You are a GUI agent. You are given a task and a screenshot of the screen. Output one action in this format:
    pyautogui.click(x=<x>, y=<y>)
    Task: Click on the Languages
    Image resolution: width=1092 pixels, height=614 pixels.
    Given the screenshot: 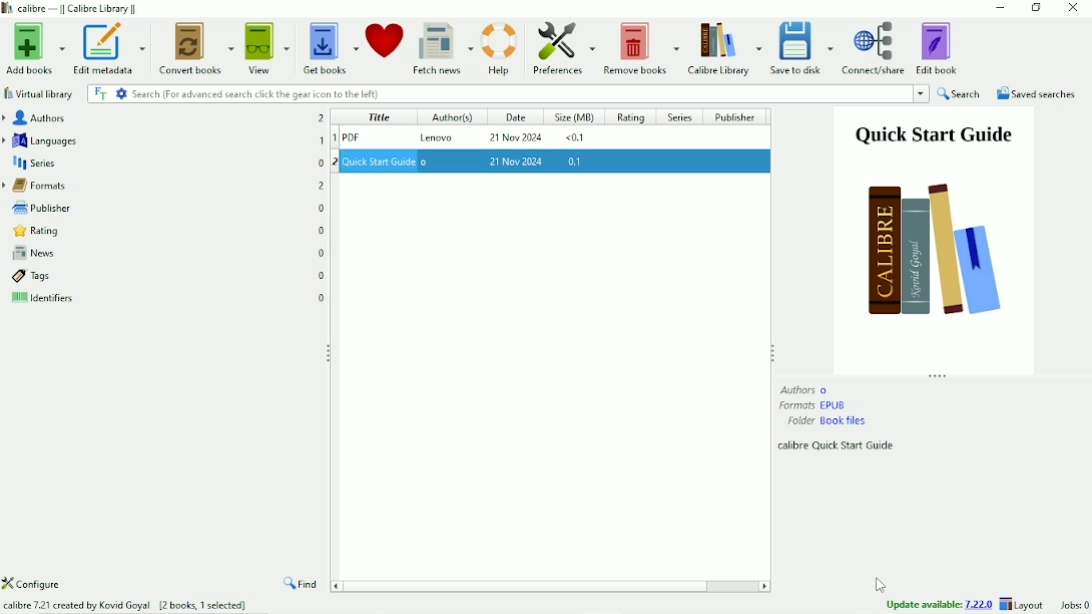 What is the action you would take?
    pyautogui.click(x=164, y=140)
    